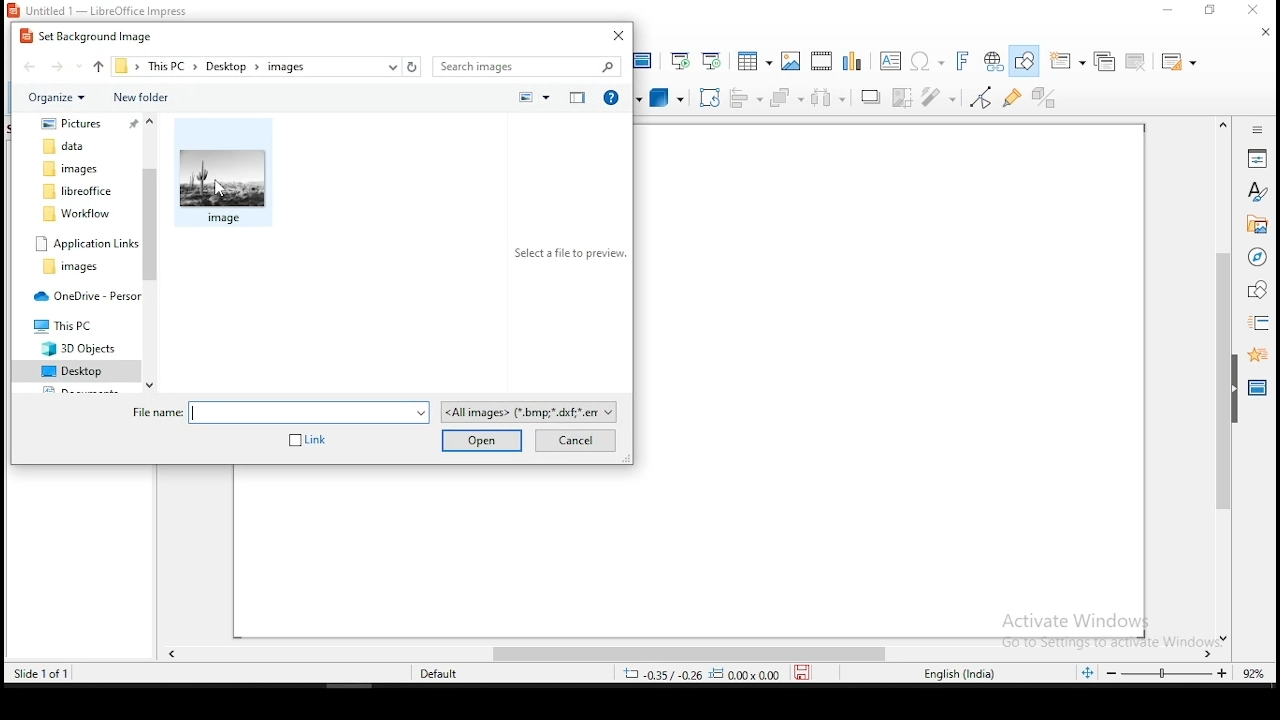 This screenshot has height=720, width=1280. I want to click on save, so click(803, 675).